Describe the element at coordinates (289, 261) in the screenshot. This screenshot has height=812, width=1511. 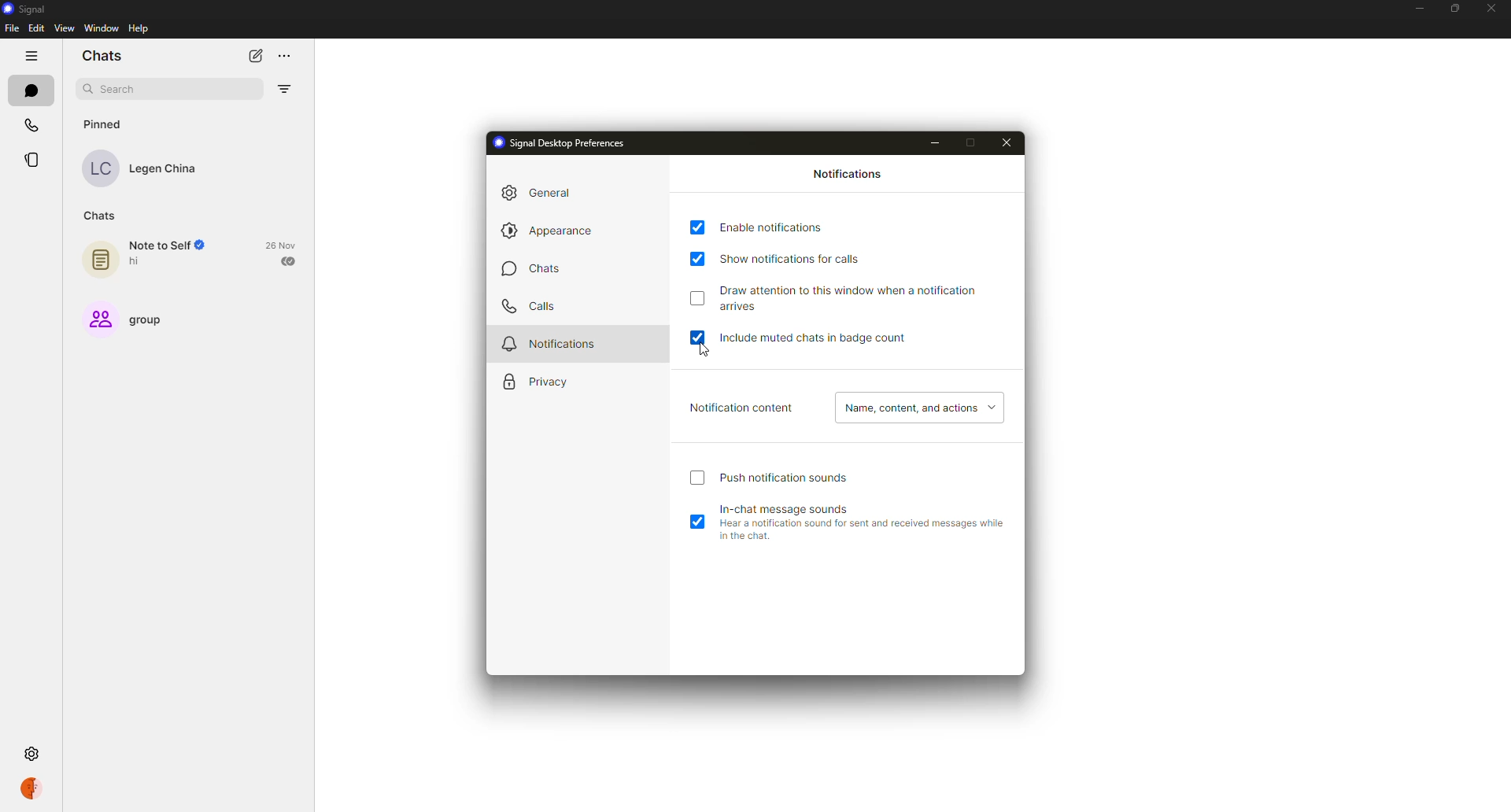
I see `sent` at that location.